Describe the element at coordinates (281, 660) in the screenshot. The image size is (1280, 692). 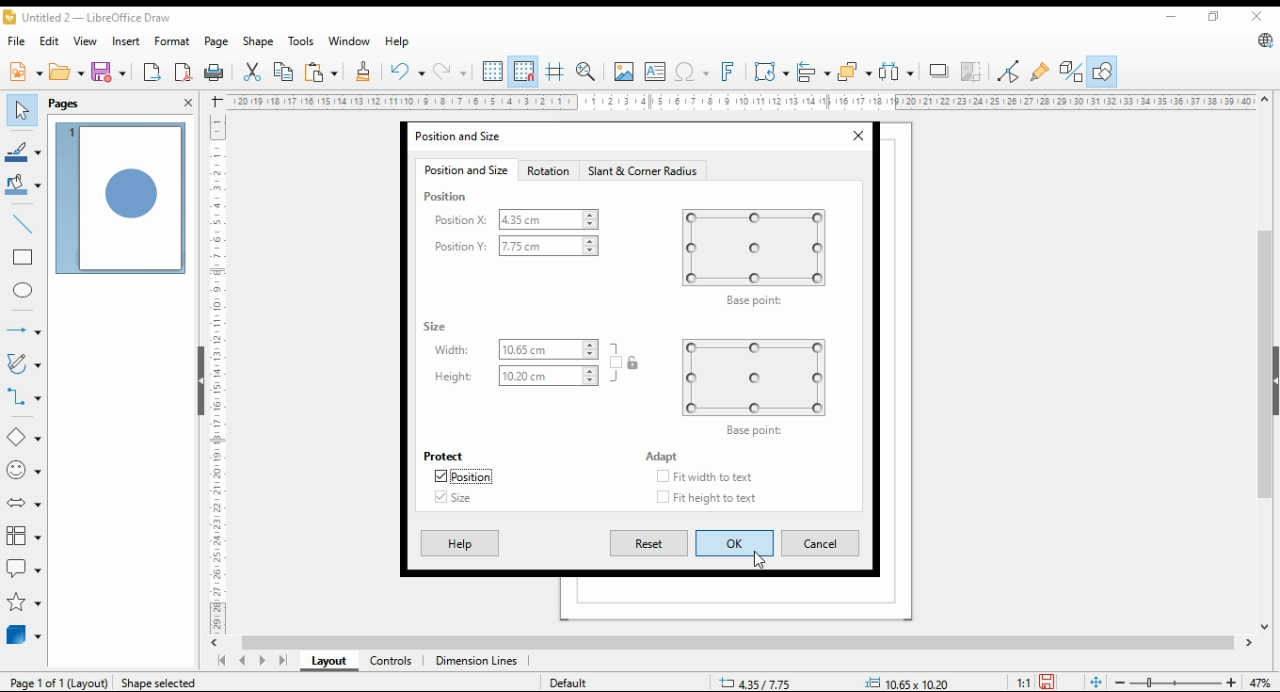
I see `last page` at that location.